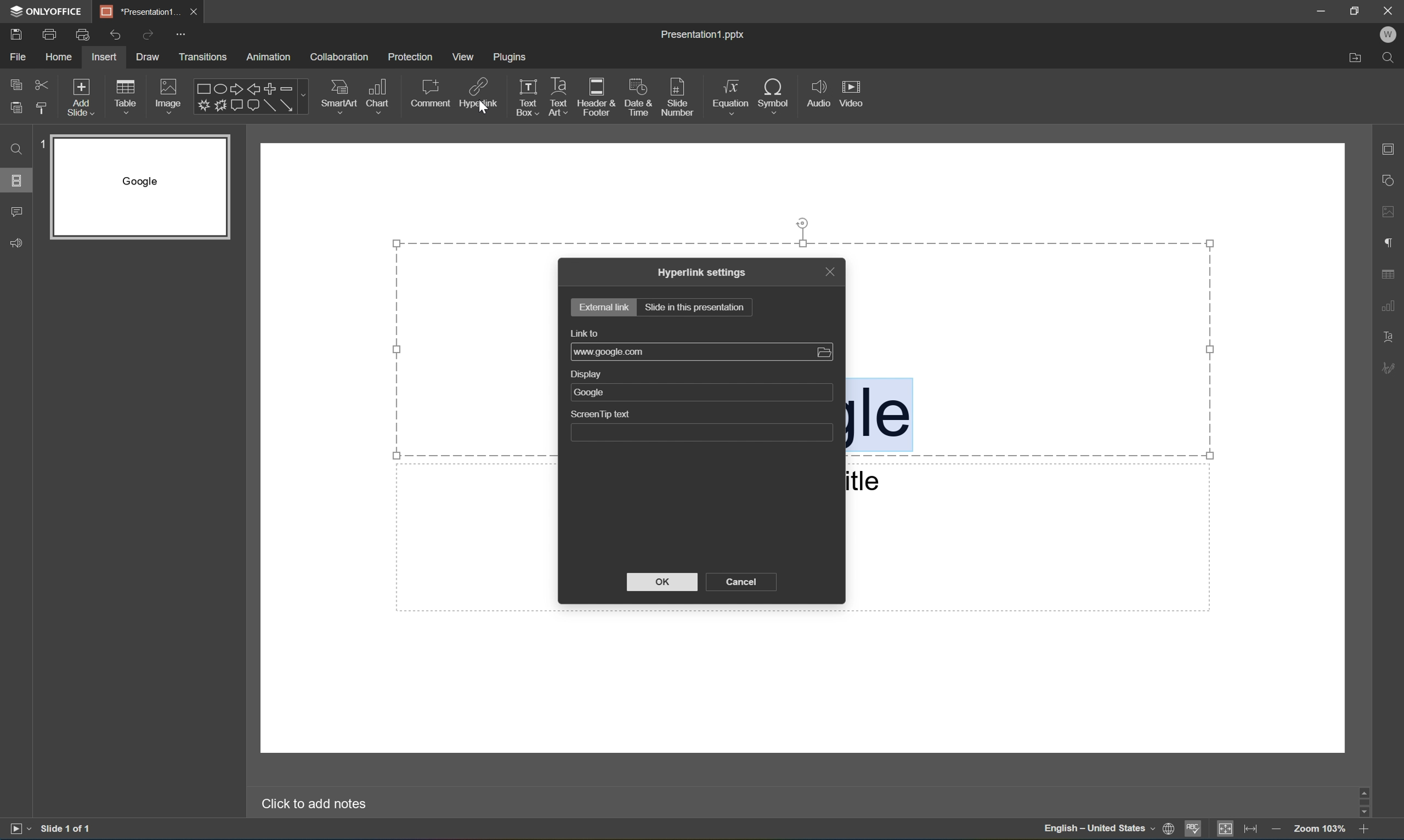 This screenshot has height=840, width=1404. I want to click on Fit to width, so click(1255, 829).